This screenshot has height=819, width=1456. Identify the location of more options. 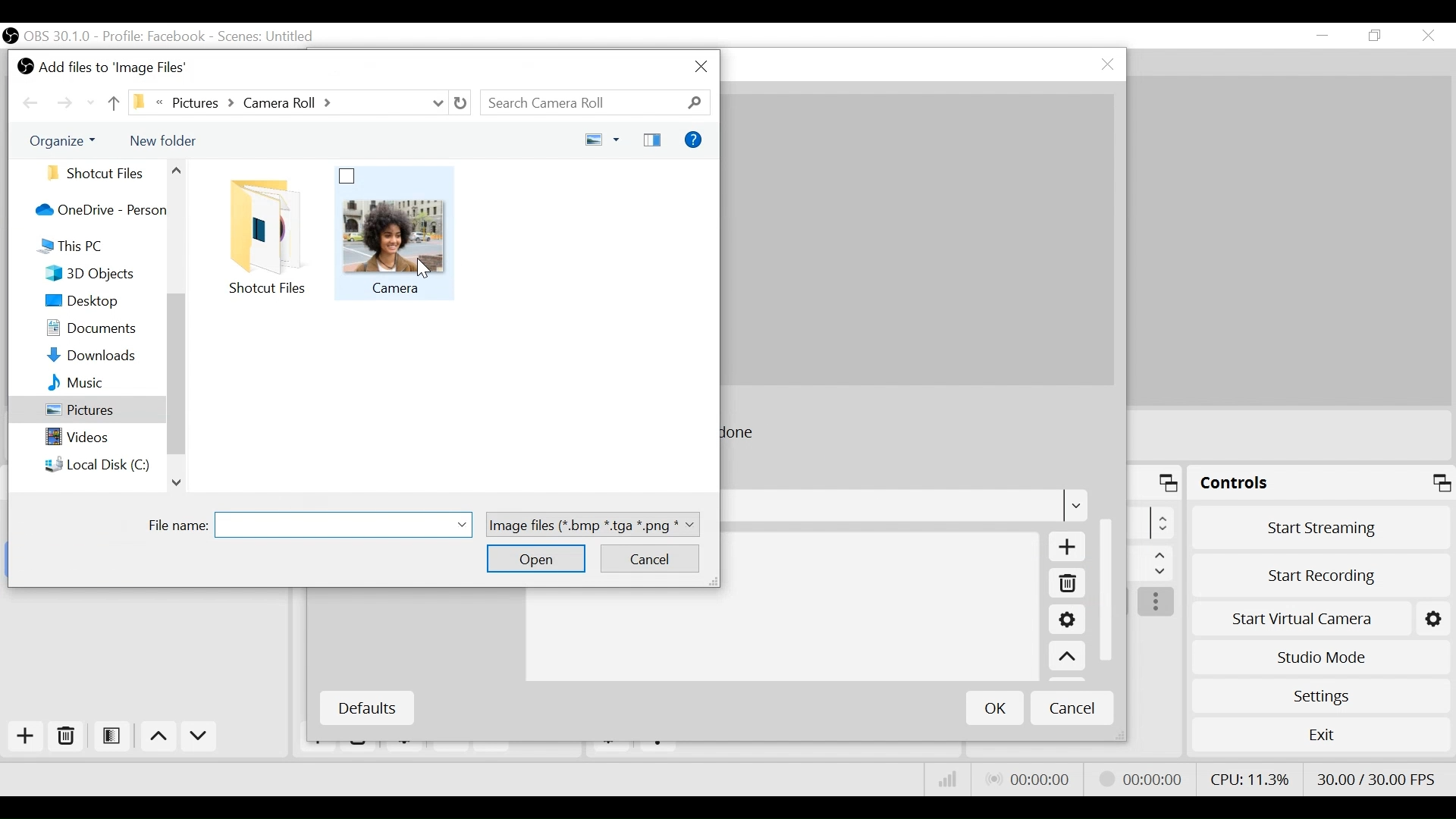
(1157, 603).